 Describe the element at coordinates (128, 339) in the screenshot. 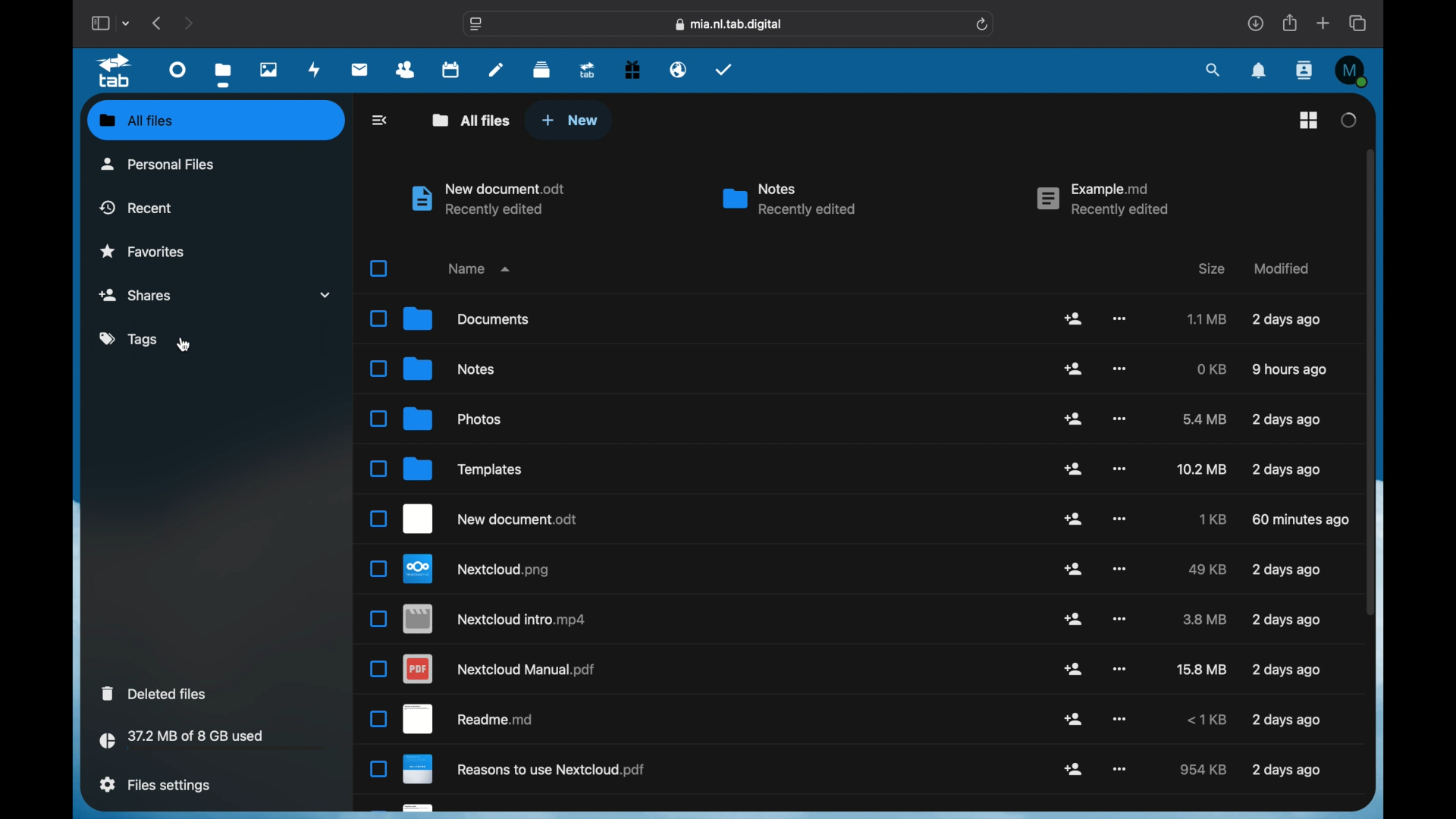

I see `tags` at that location.